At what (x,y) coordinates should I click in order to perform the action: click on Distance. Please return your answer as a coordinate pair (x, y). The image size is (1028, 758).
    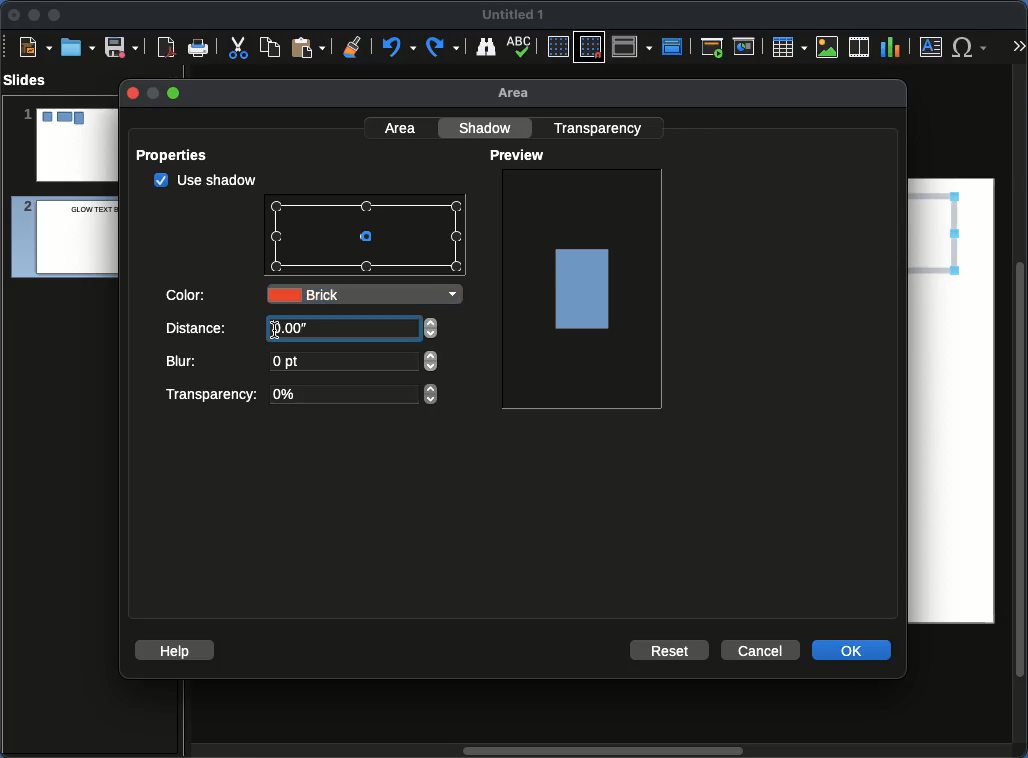
    Looking at the image, I should click on (198, 330).